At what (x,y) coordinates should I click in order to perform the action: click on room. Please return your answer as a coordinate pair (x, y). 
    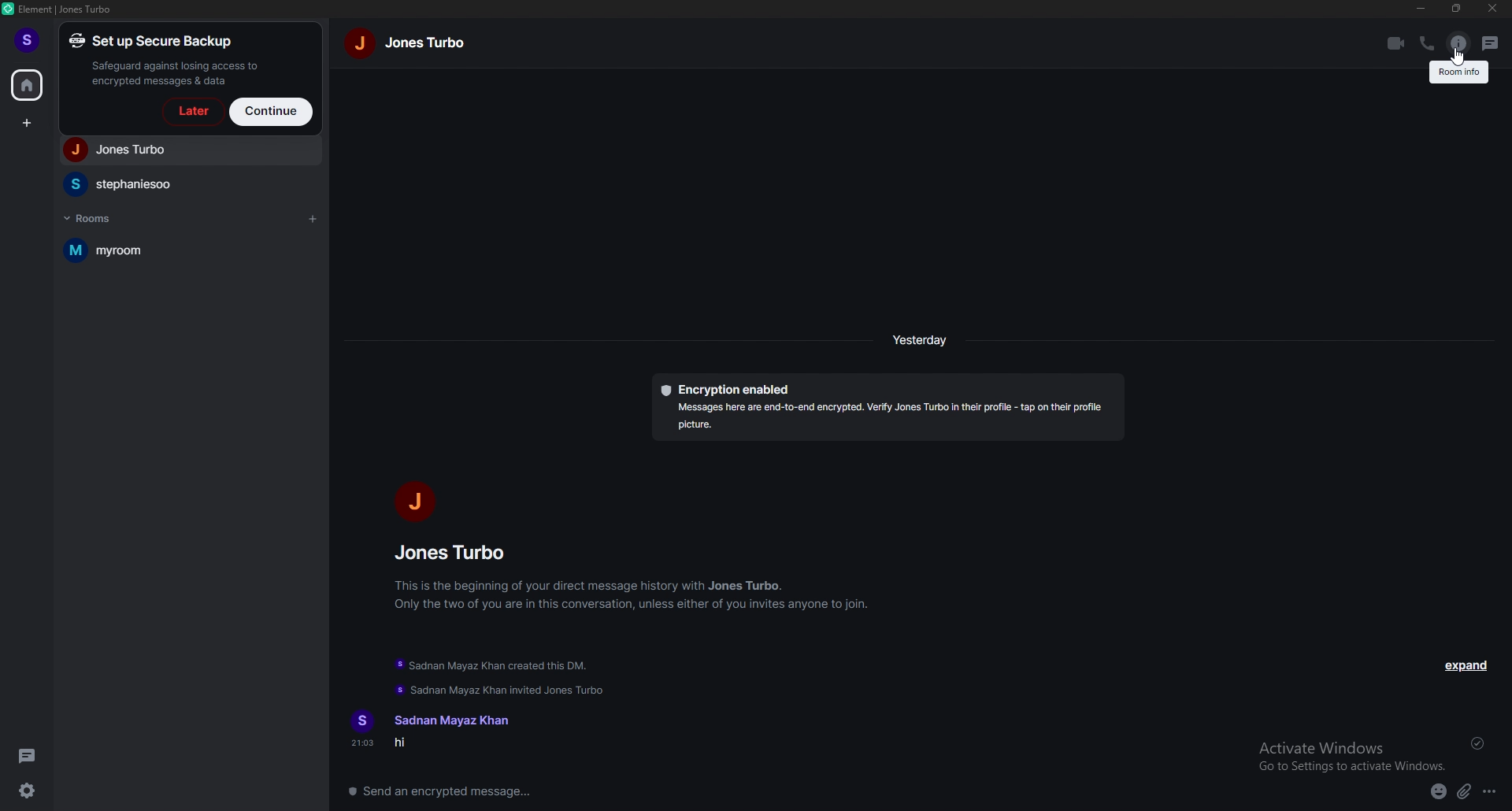
    Looking at the image, I should click on (181, 251).